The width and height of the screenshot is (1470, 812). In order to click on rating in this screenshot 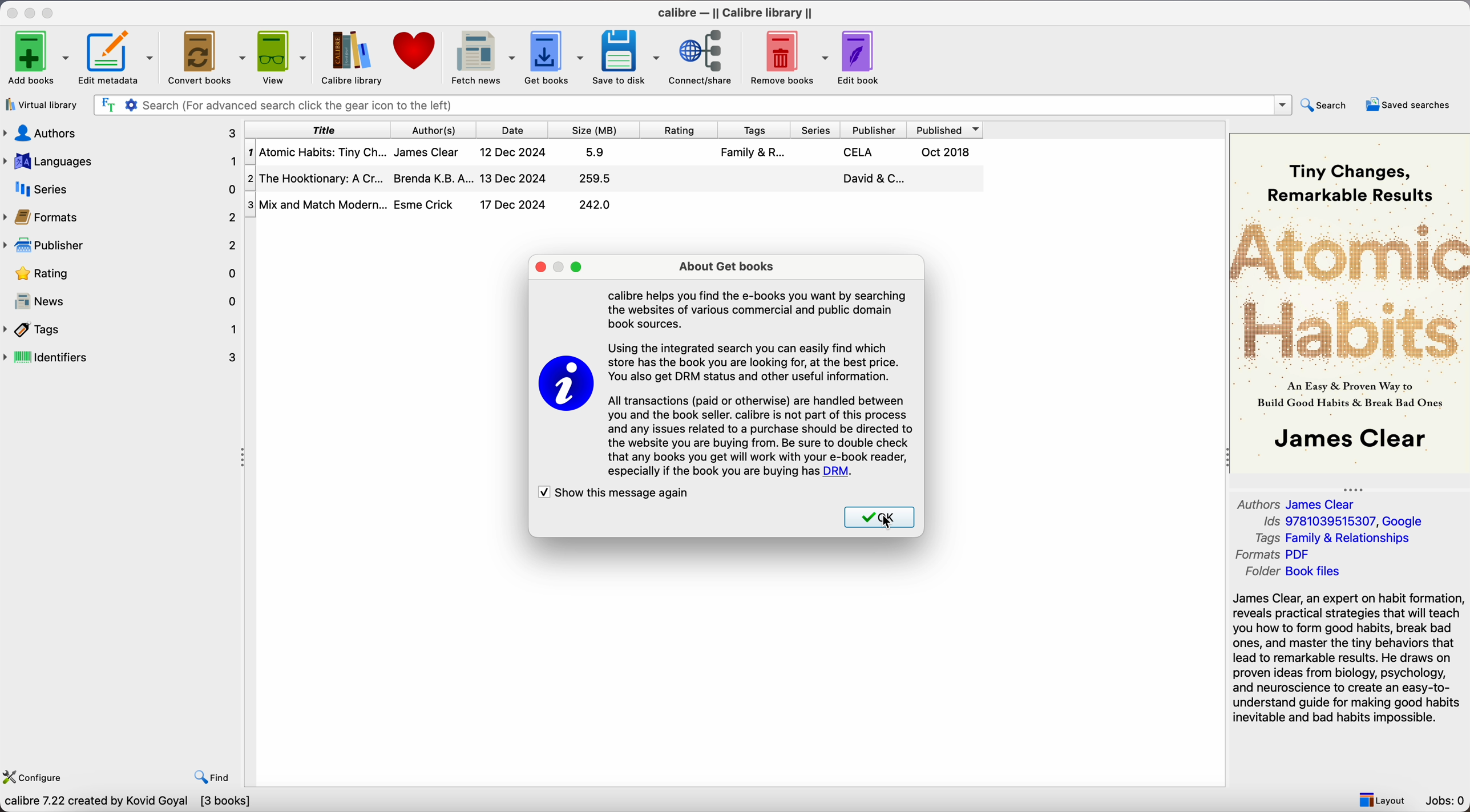, I will do `click(680, 130)`.